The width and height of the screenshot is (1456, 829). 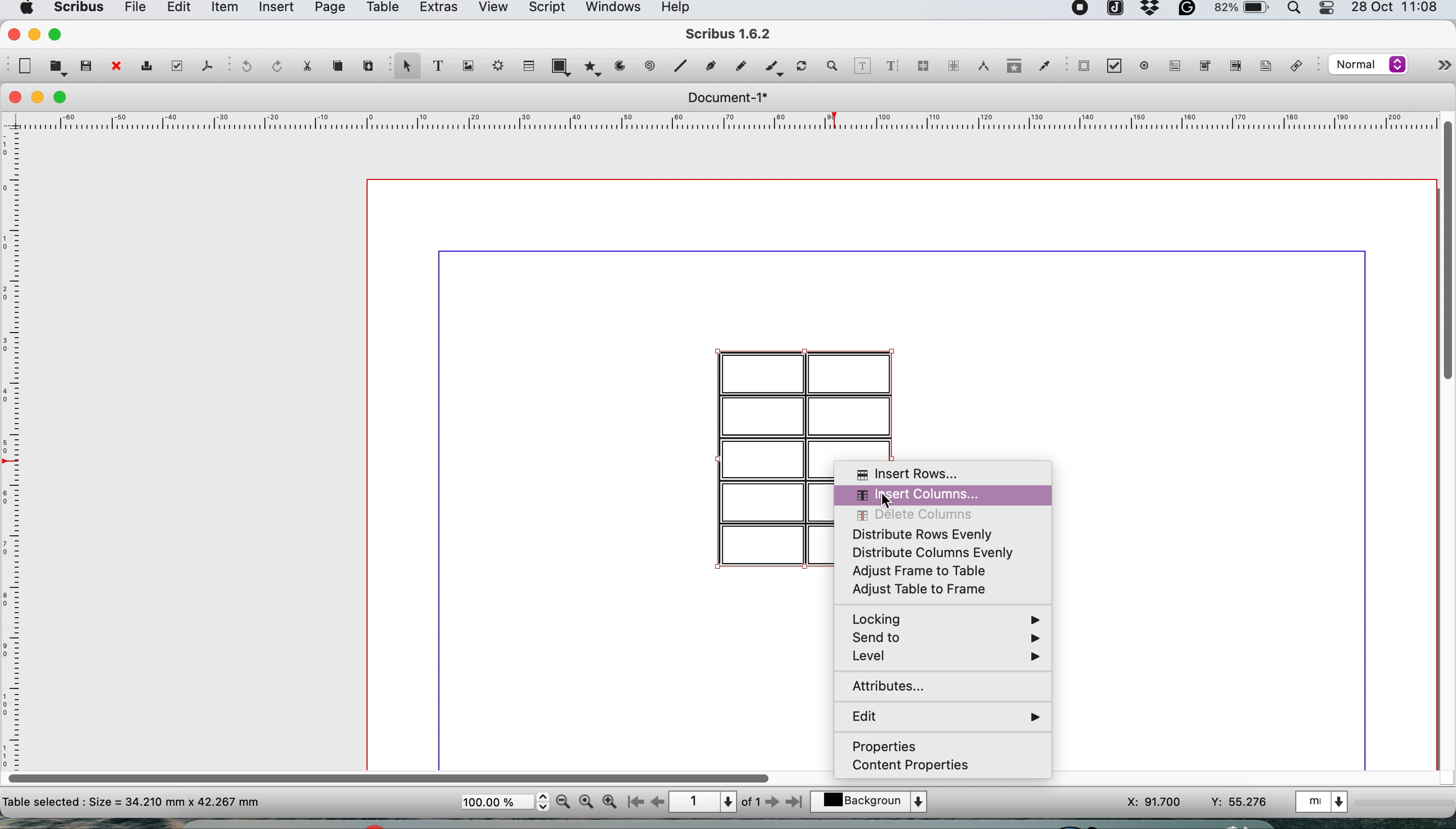 I want to click on script, so click(x=545, y=9).